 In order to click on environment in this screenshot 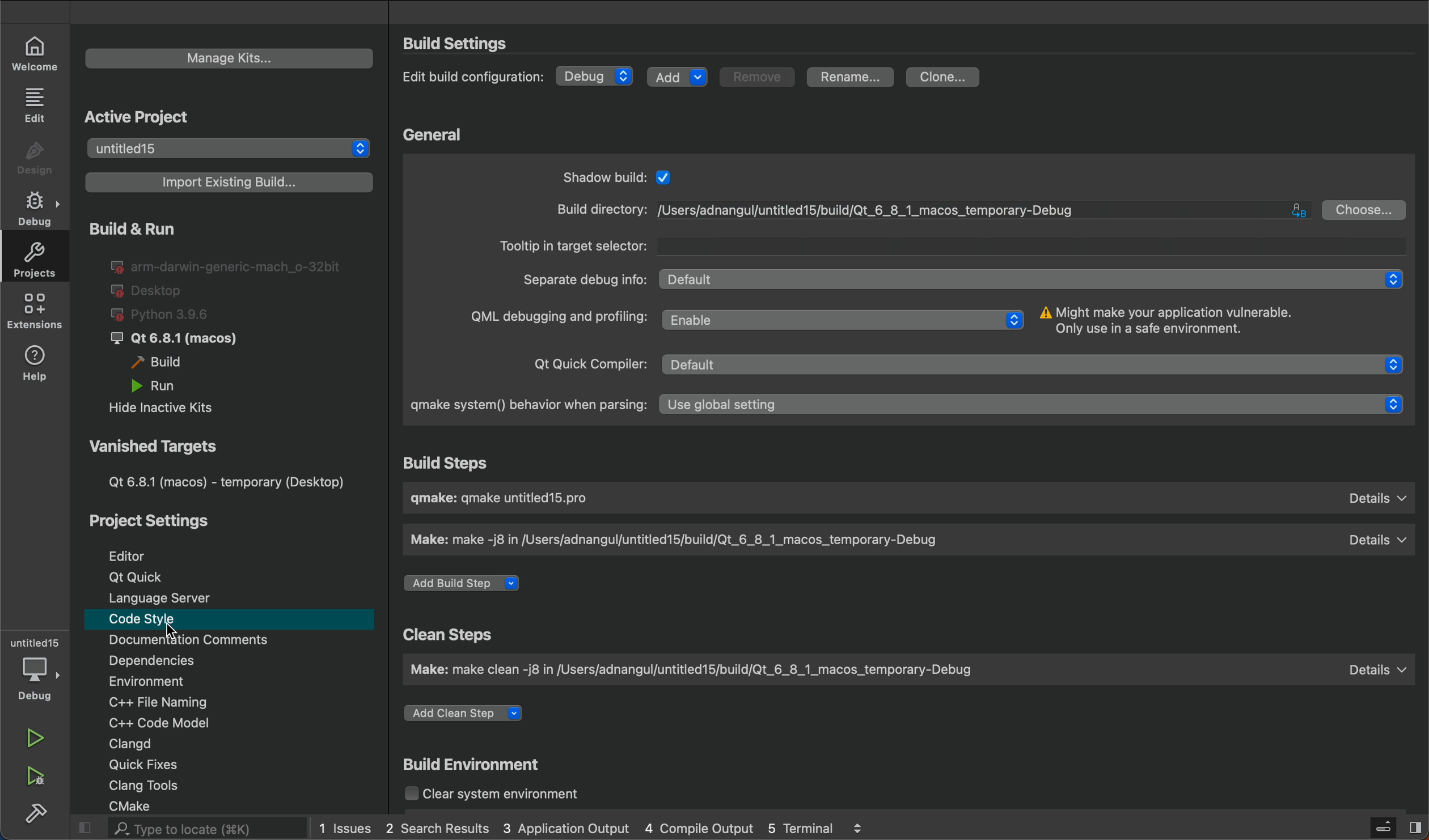, I will do `click(173, 680)`.